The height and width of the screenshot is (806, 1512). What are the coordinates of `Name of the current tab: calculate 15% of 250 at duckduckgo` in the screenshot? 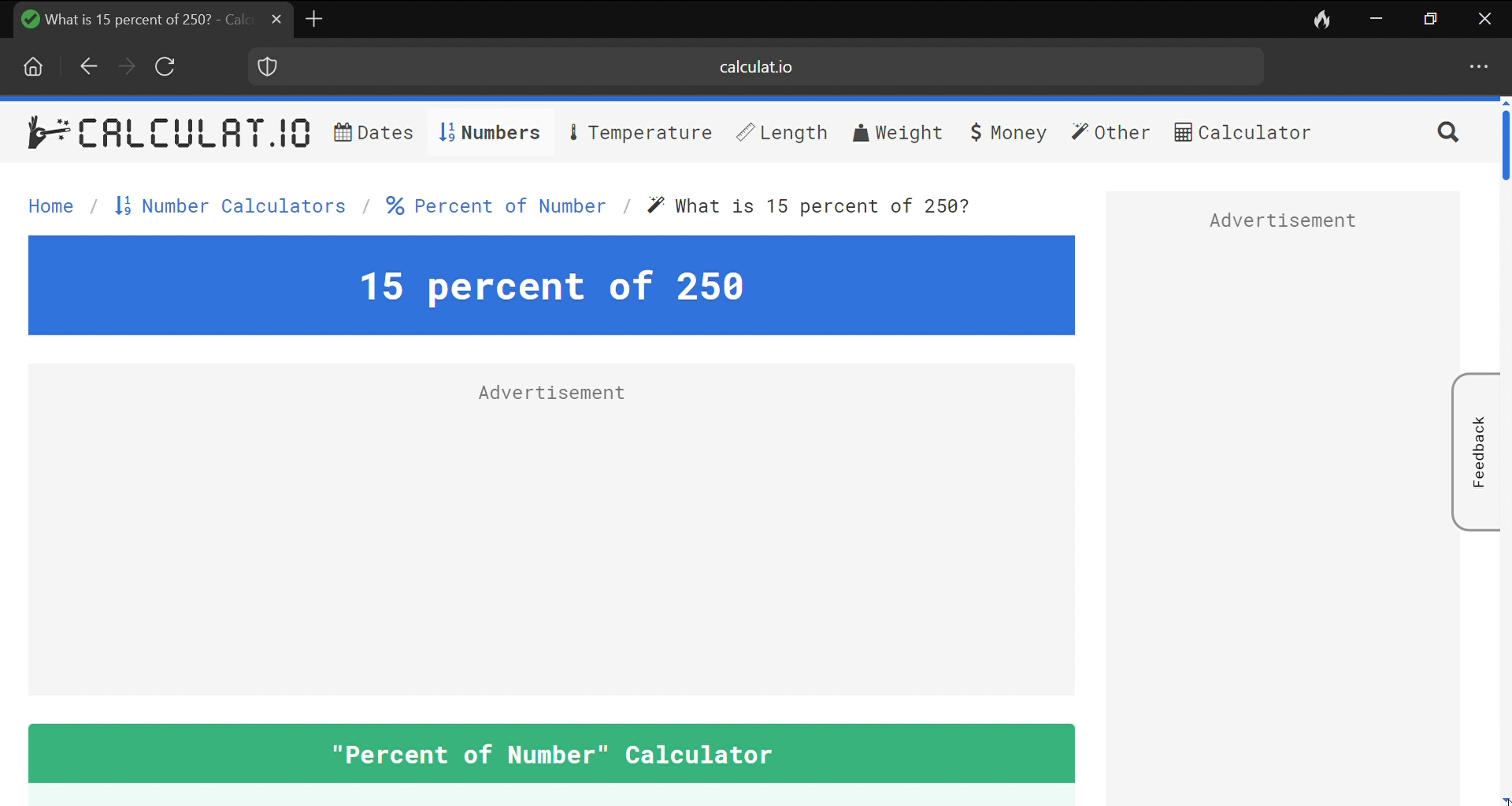 It's located at (130, 18).